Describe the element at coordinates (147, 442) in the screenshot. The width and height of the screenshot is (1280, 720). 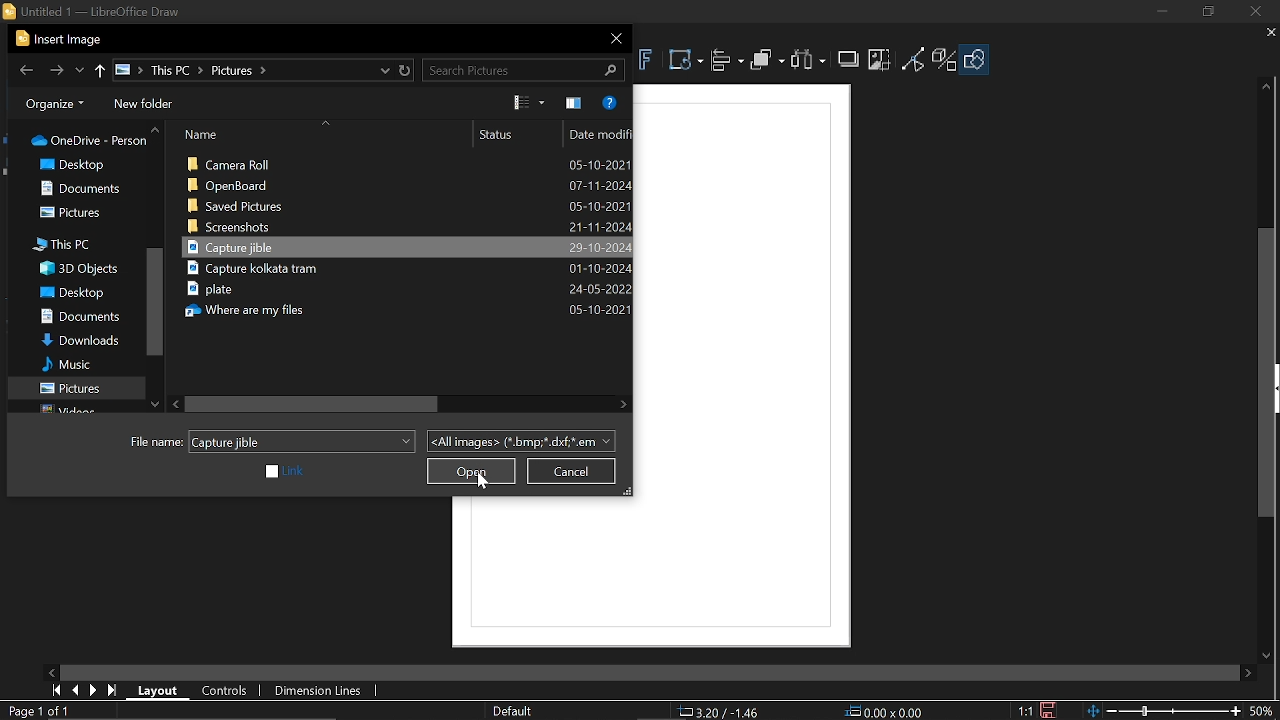
I see `File name:` at that location.